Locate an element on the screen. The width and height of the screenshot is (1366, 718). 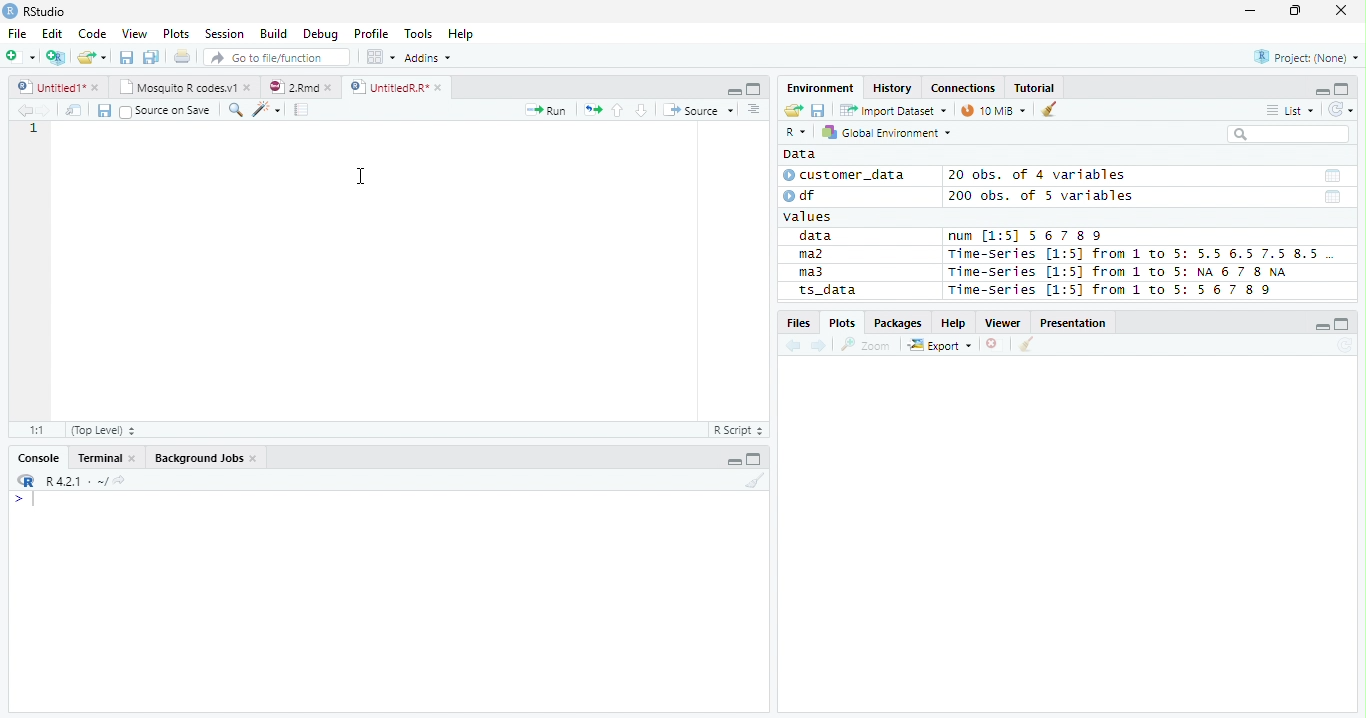
ma2 is located at coordinates (816, 256).